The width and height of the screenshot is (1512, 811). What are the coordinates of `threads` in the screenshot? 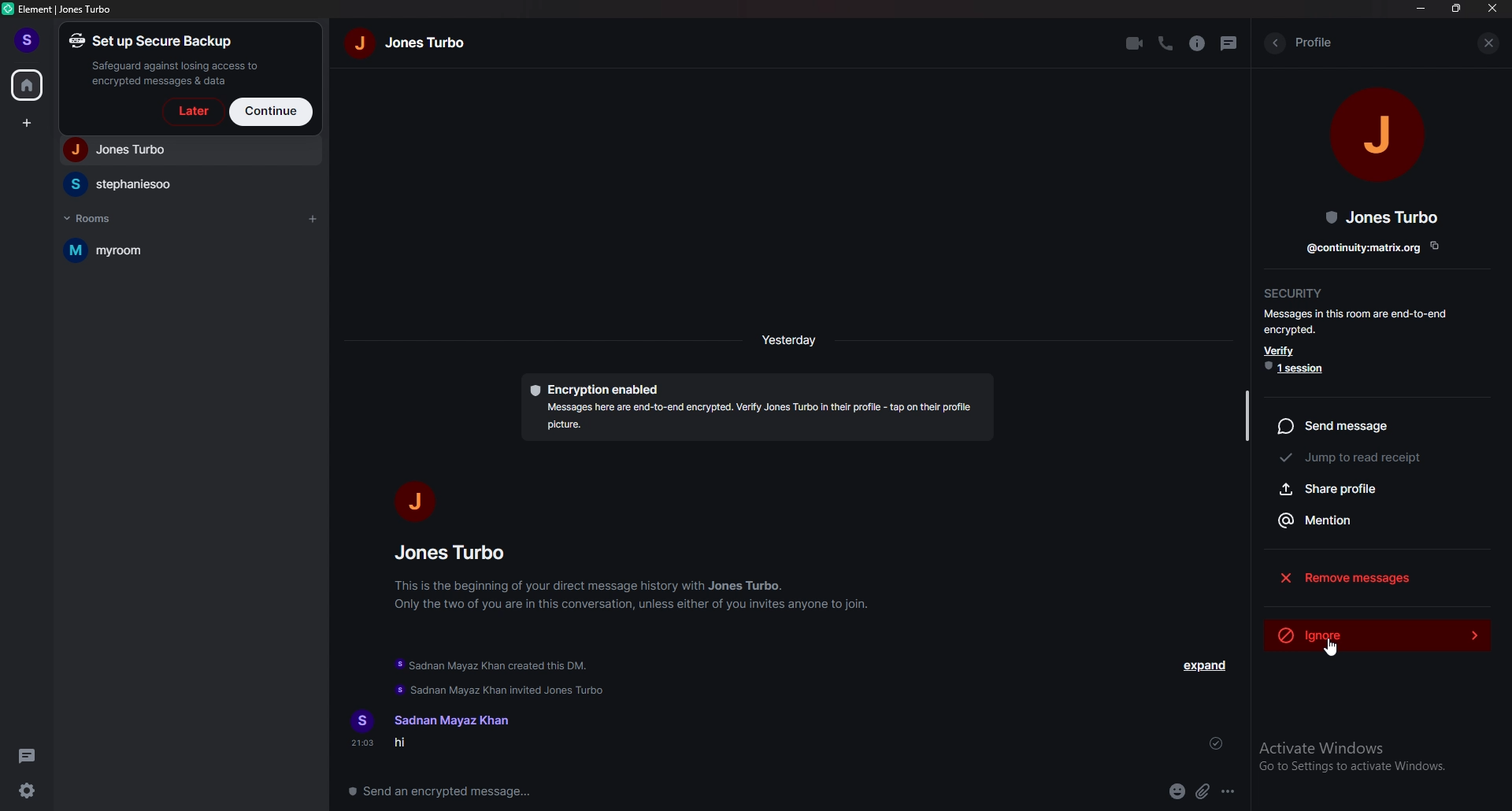 It's located at (30, 756).